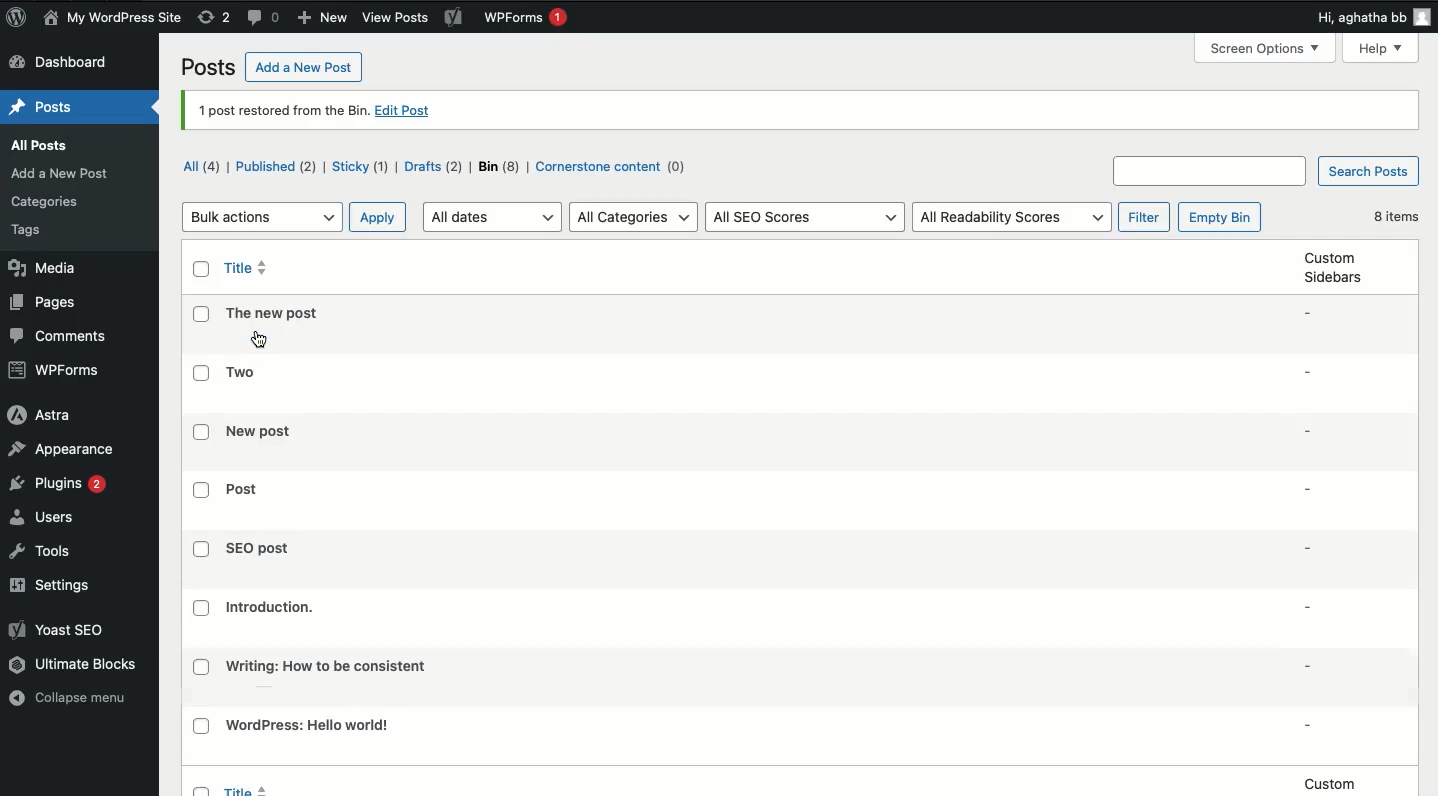  What do you see at coordinates (57, 484) in the screenshot?
I see `Plugins` at bounding box center [57, 484].